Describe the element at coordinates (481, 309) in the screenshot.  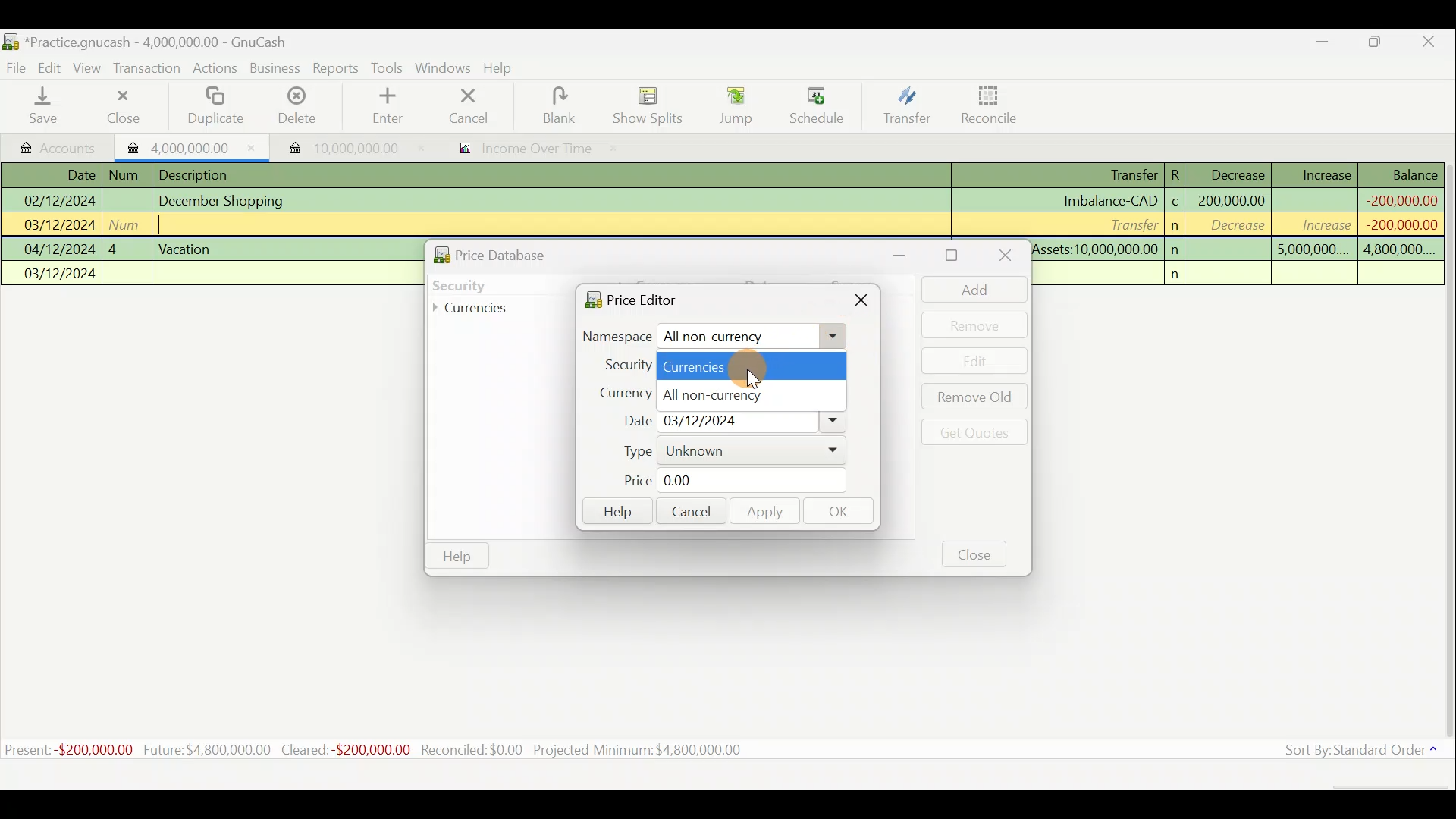
I see `Currencies` at that location.